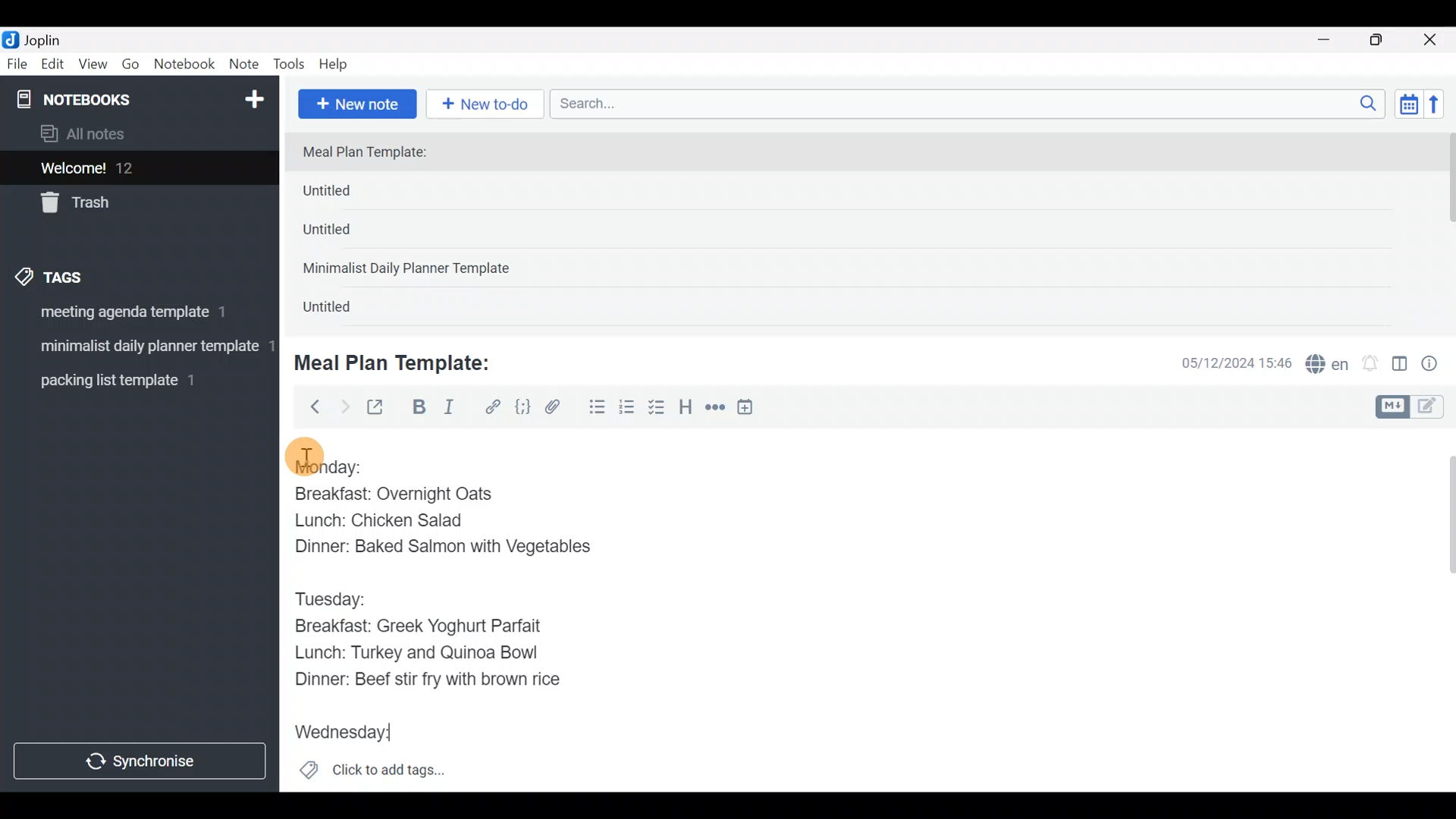 This screenshot has width=1456, height=819. I want to click on Breakfast: Overnight Oats, so click(391, 494).